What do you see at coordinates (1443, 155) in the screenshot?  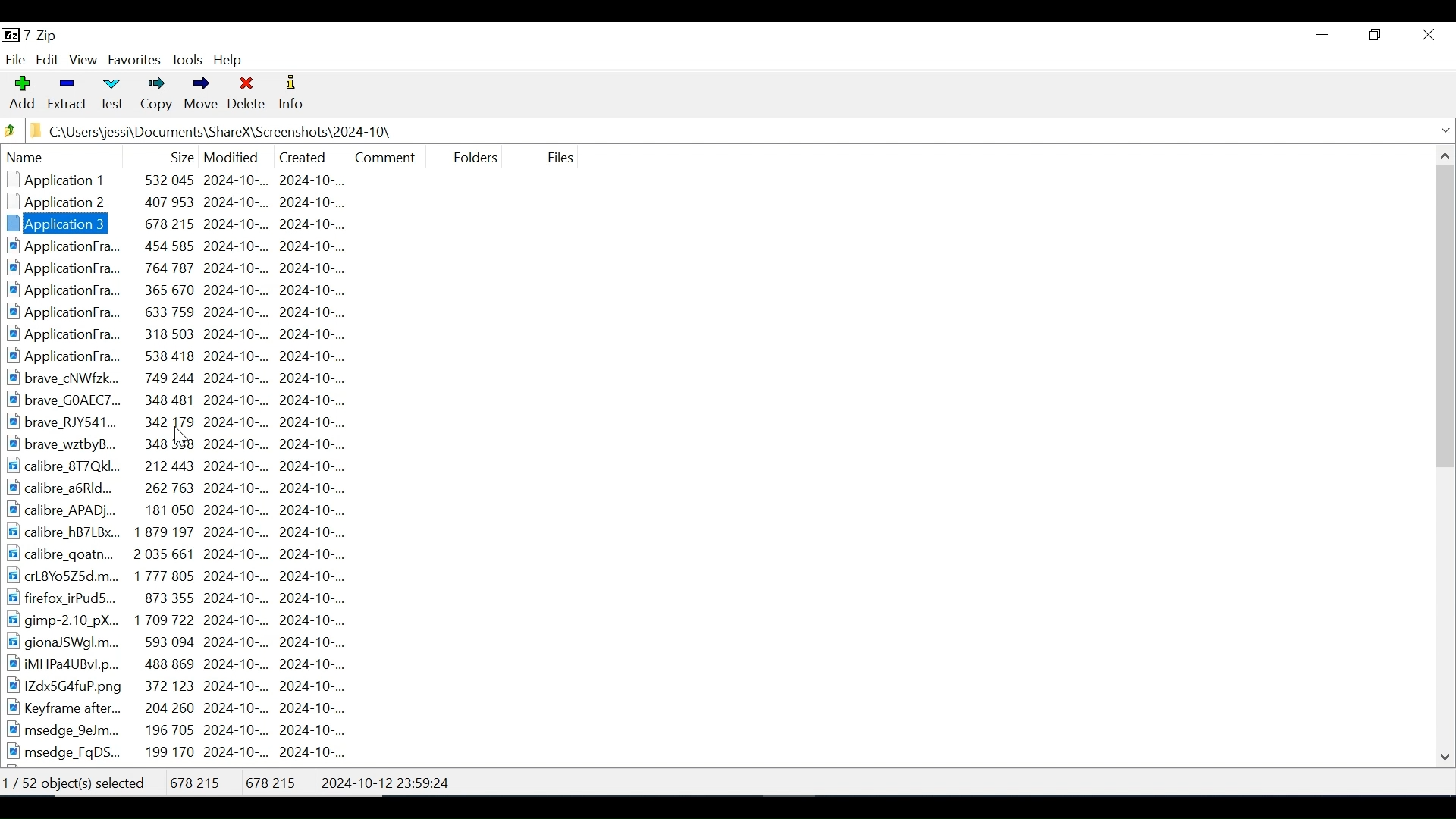 I see `Scroll up` at bounding box center [1443, 155].